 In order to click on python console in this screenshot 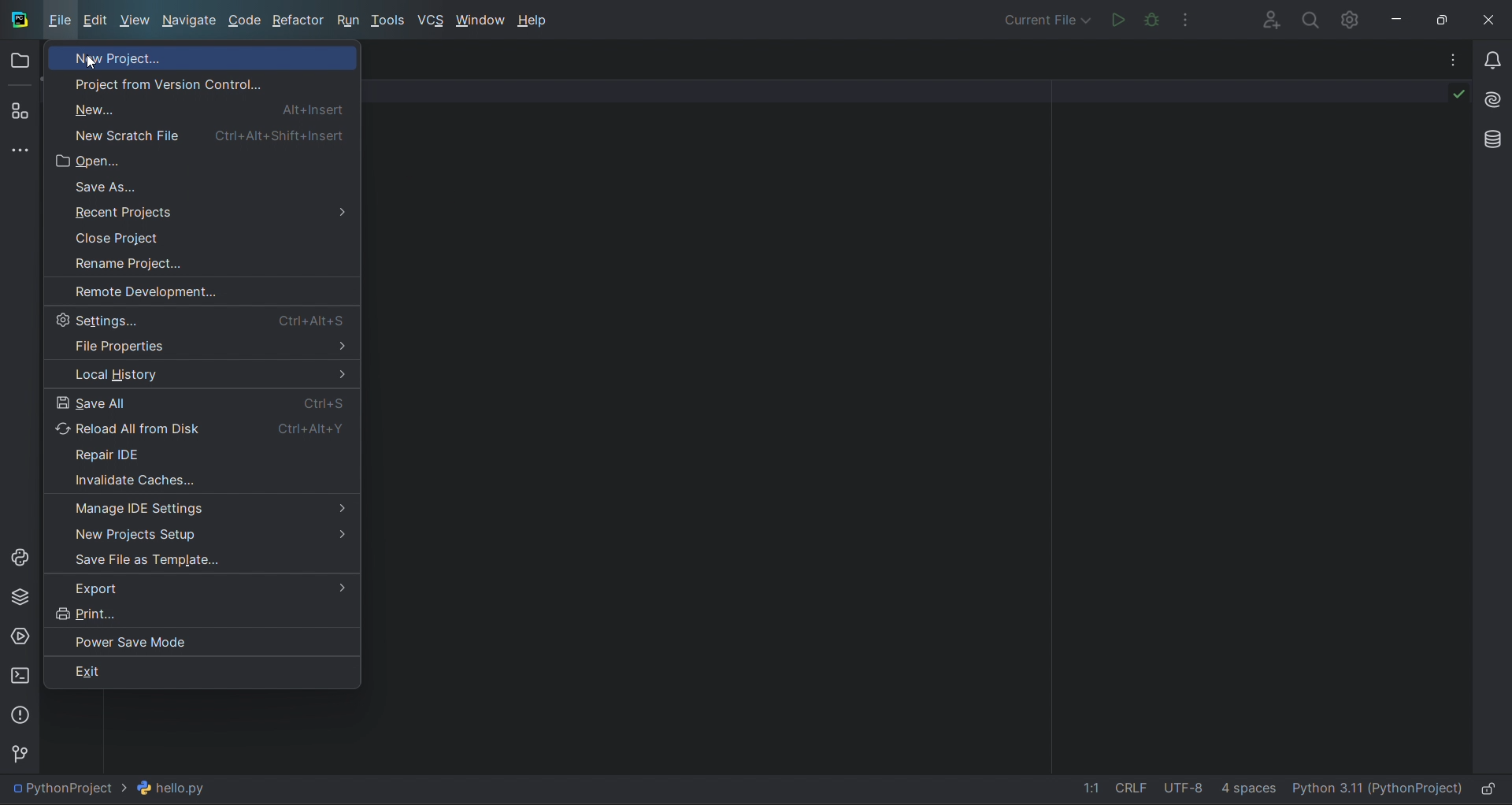, I will do `click(20, 558)`.